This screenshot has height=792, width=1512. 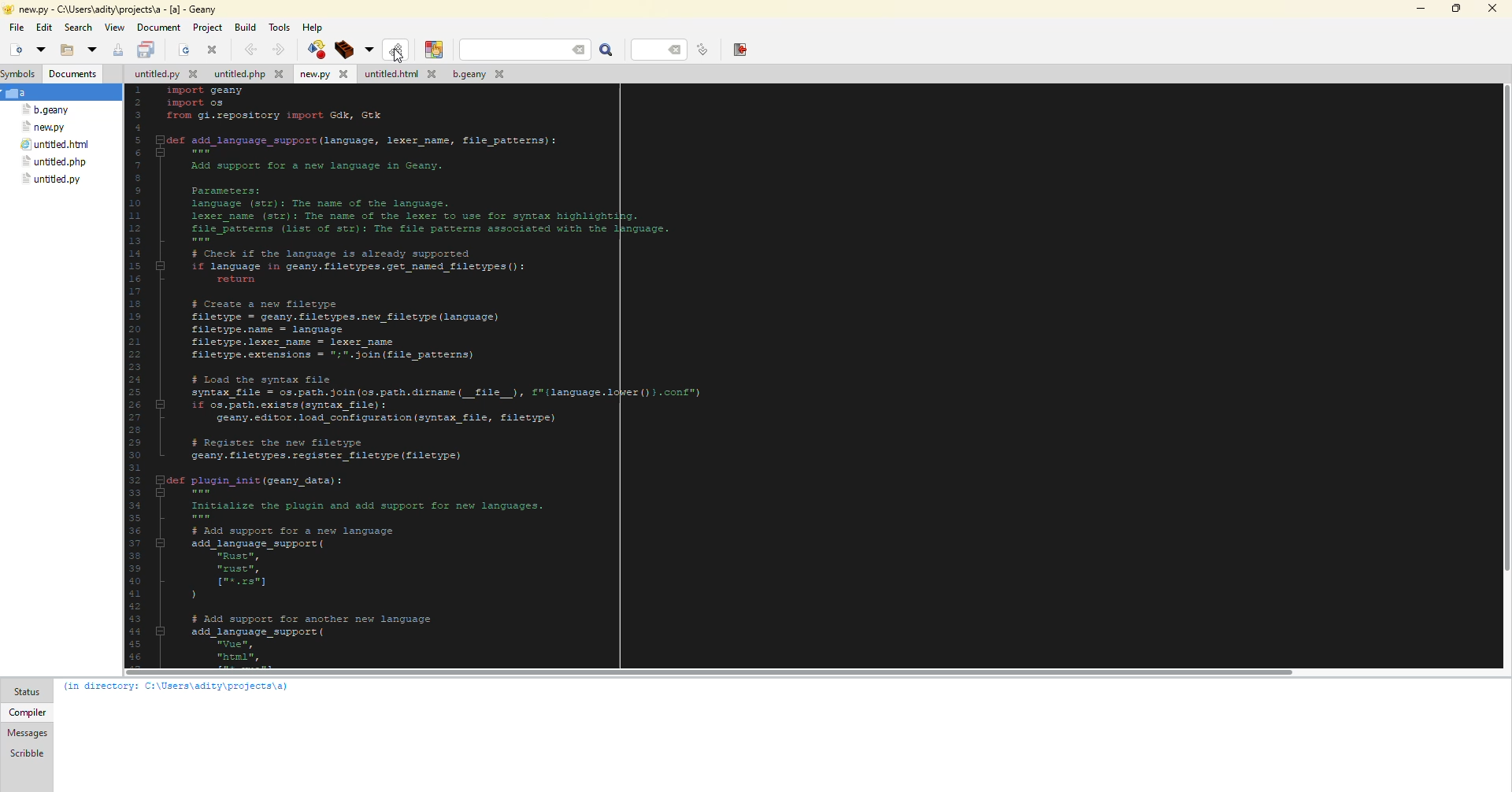 What do you see at coordinates (45, 128) in the screenshot?
I see `file` at bounding box center [45, 128].